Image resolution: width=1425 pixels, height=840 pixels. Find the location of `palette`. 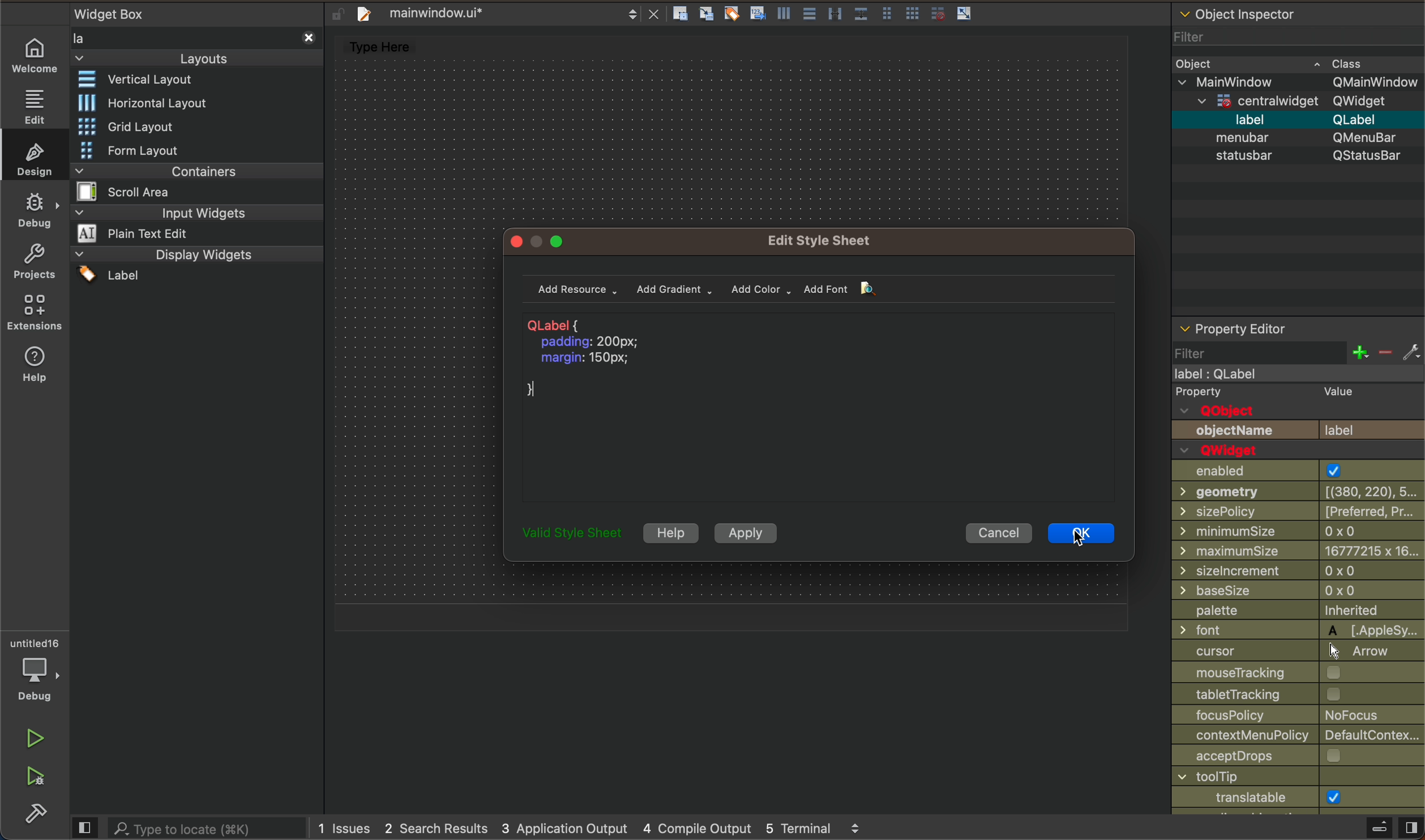

palette is located at coordinates (1298, 610).